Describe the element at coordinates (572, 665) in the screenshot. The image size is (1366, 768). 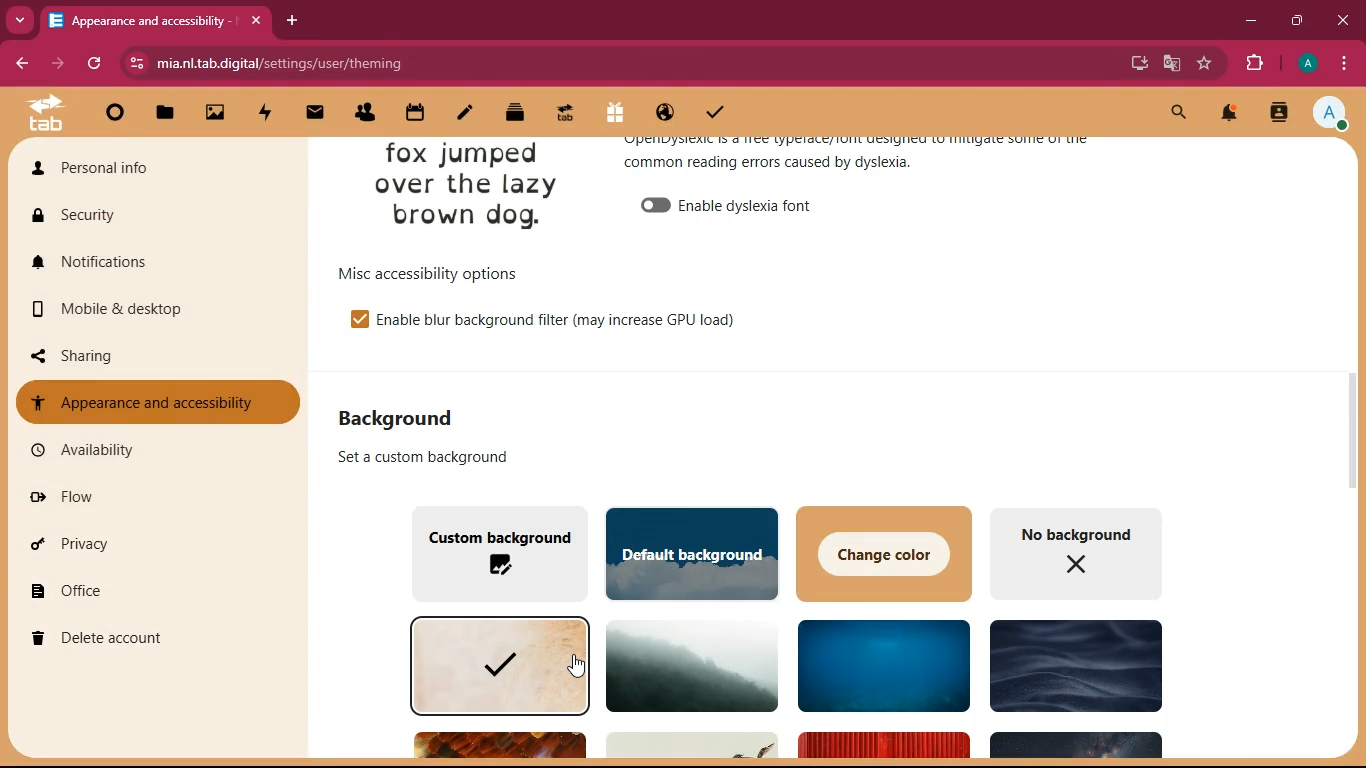
I see `cursor` at that location.